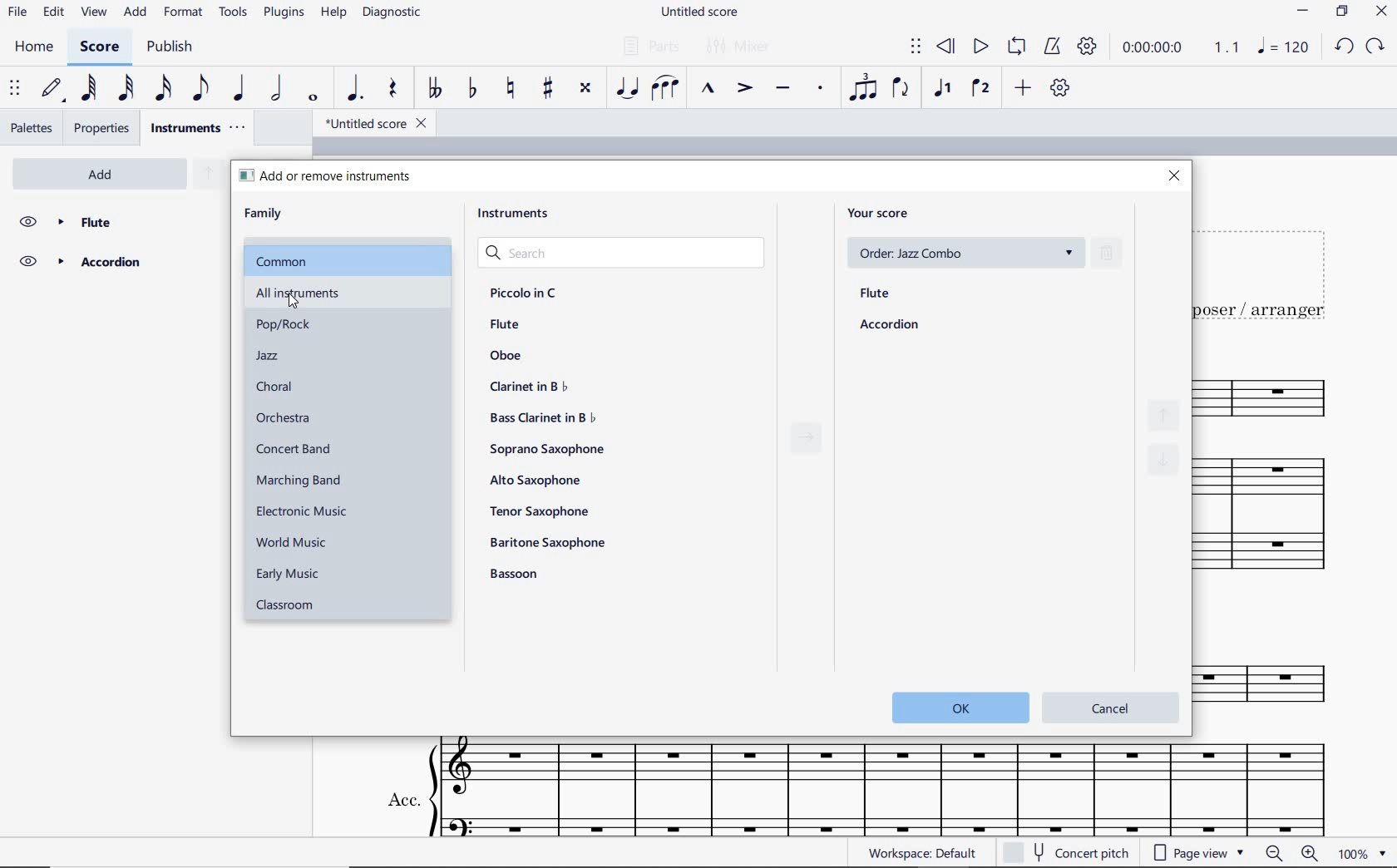  Describe the element at coordinates (34, 49) in the screenshot. I see `HOME` at that location.